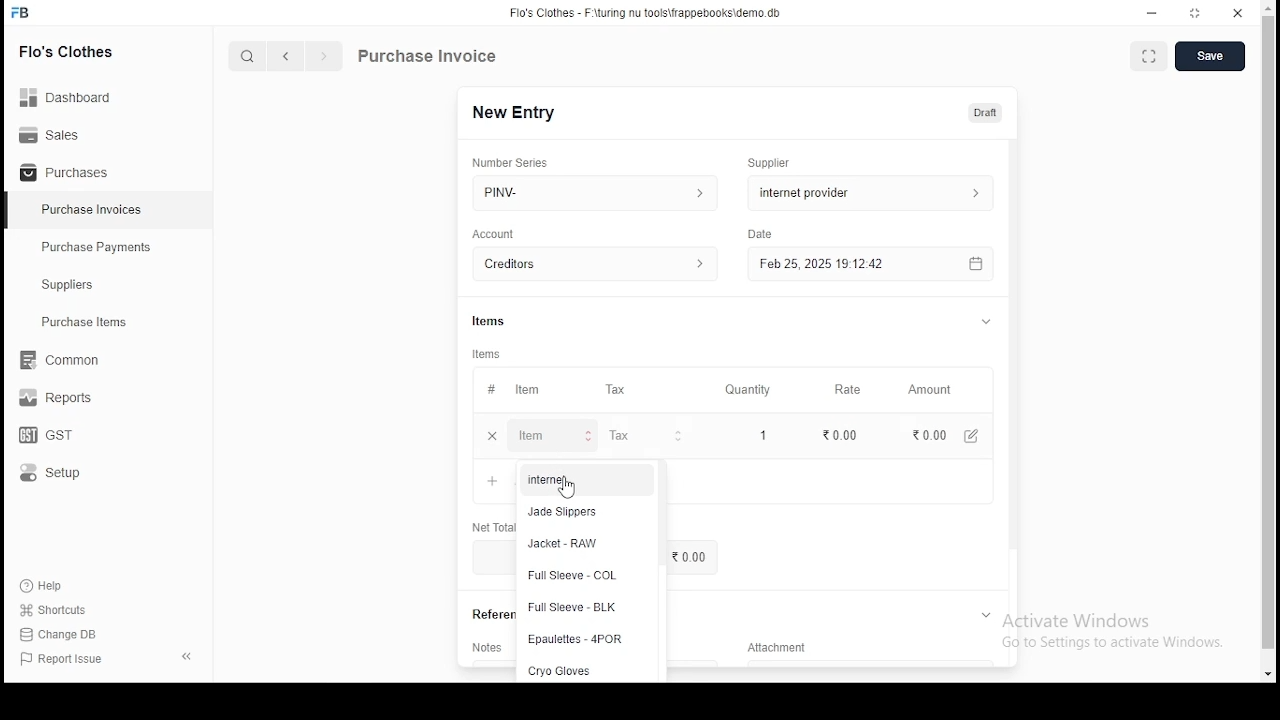 The width and height of the screenshot is (1280, 720). I want to click on gst, so click(46, 437).